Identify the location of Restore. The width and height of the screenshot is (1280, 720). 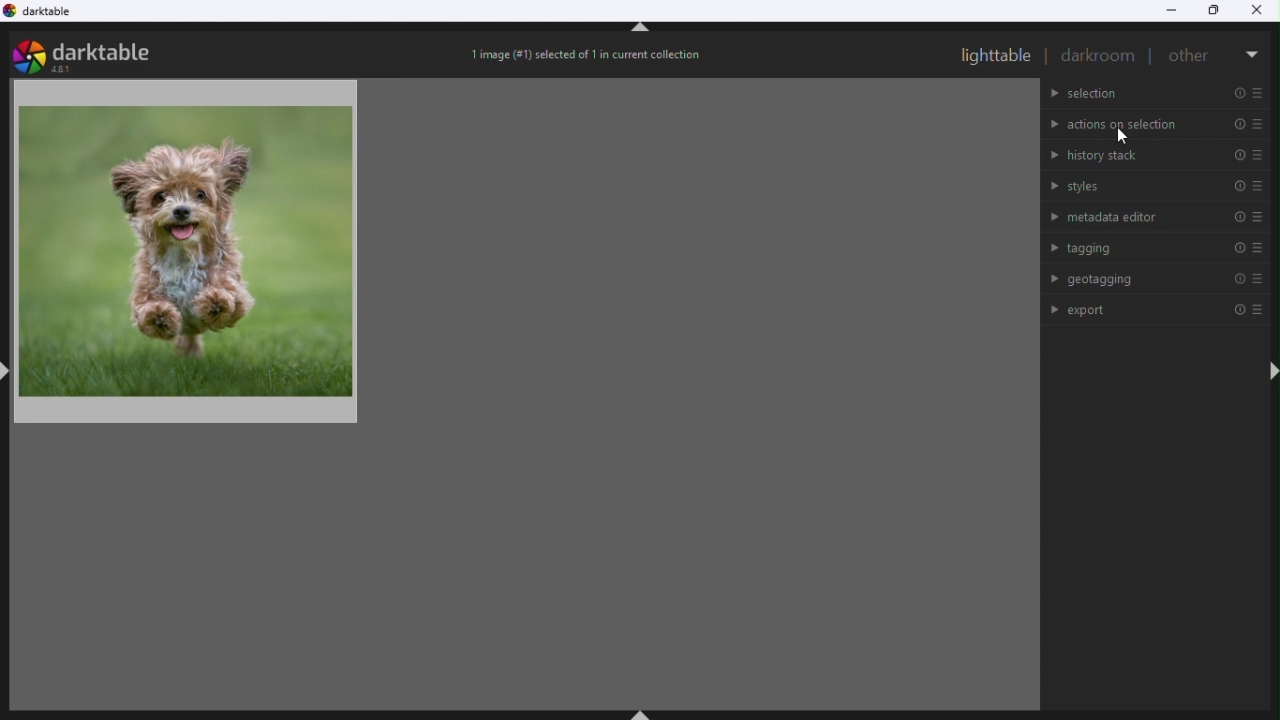
(1216, 12).